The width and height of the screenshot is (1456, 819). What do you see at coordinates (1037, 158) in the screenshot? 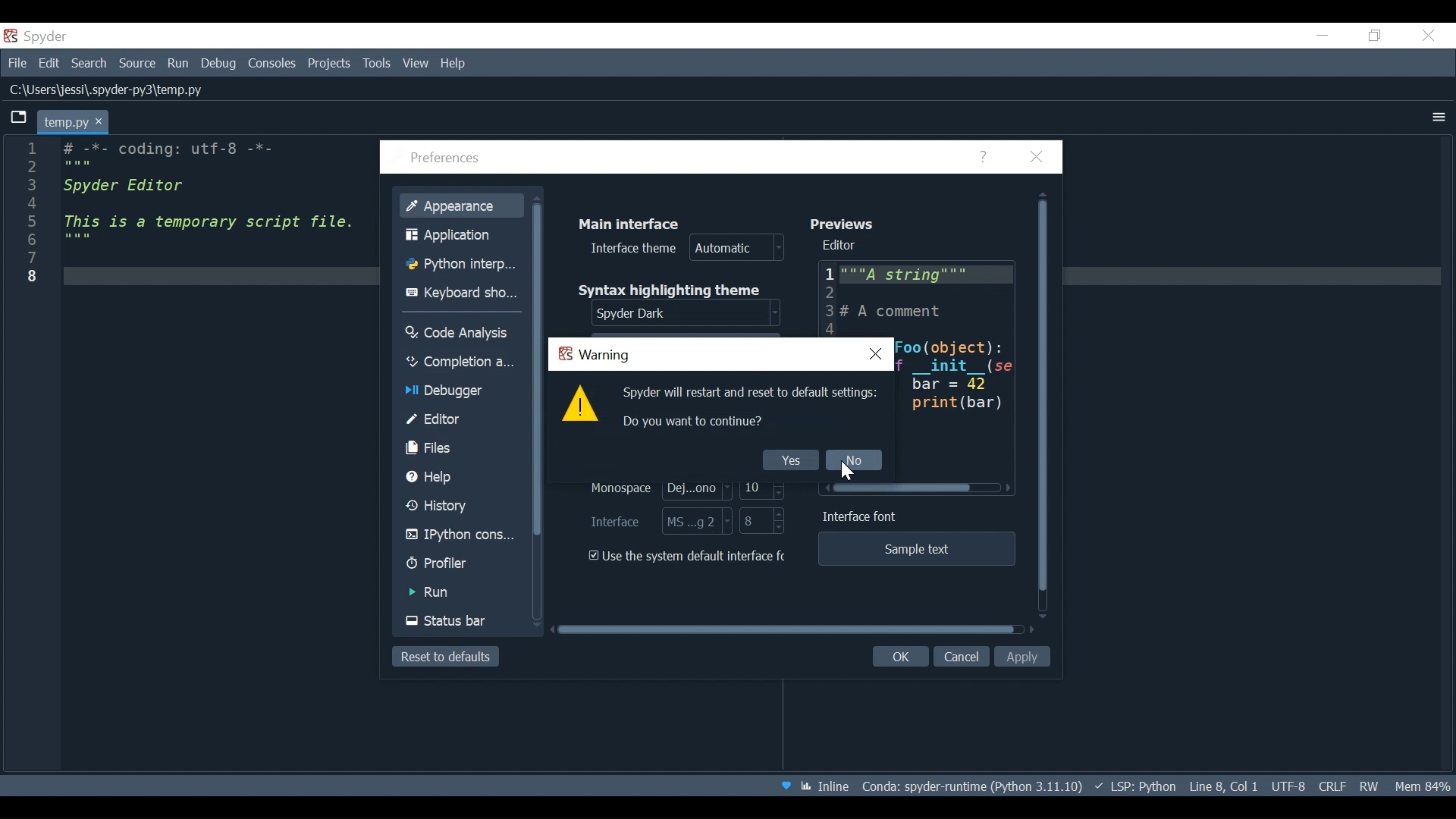
I see `Close` at bounding box center [1037, 158].